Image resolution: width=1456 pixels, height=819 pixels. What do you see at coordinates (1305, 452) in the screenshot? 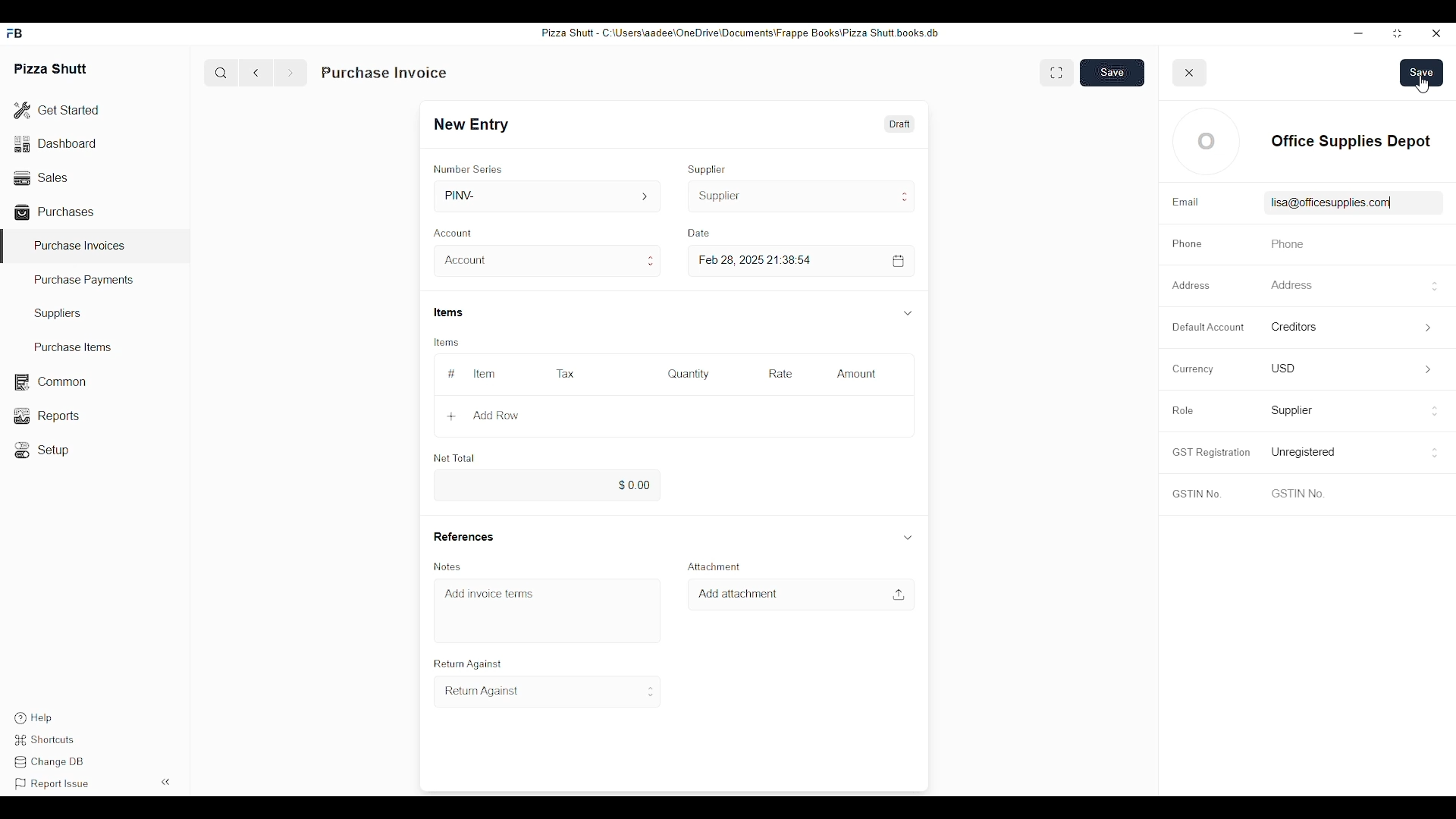
I see `Unregistered` at bounding box center [1305, 452].